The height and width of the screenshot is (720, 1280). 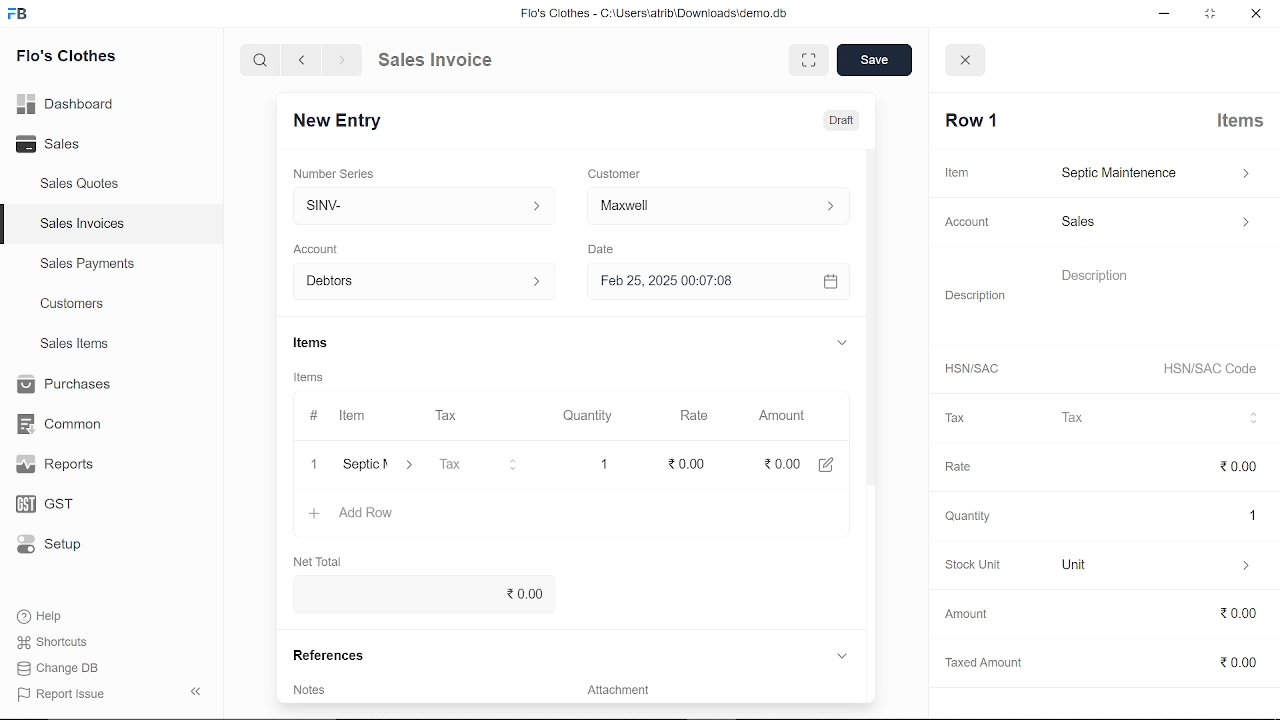 I want to click on Items, so click(x=1242, y=123).